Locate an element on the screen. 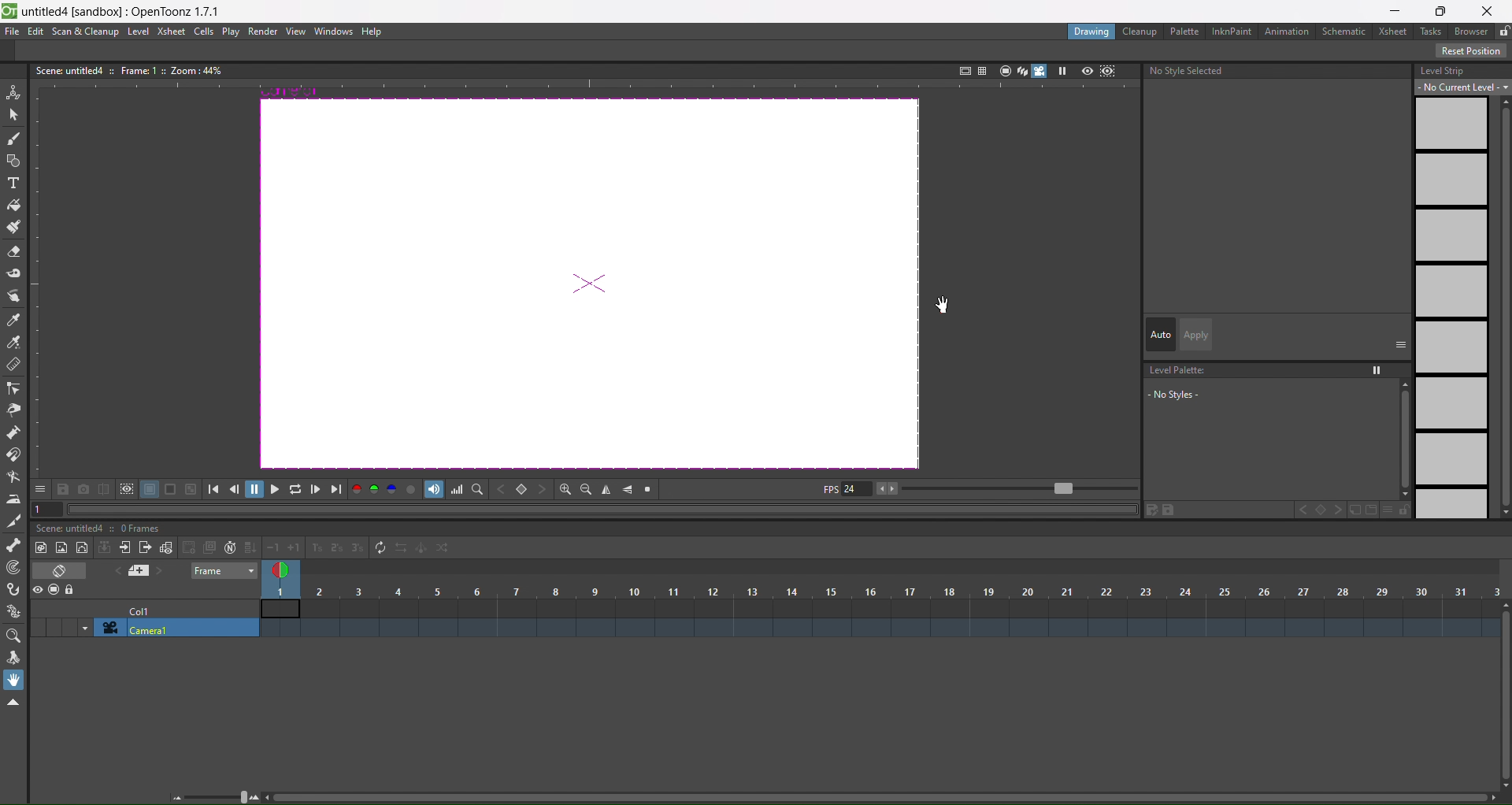 The image size is (1512, 805). double click to toggle onion skin is located at coordinates (286, 568).